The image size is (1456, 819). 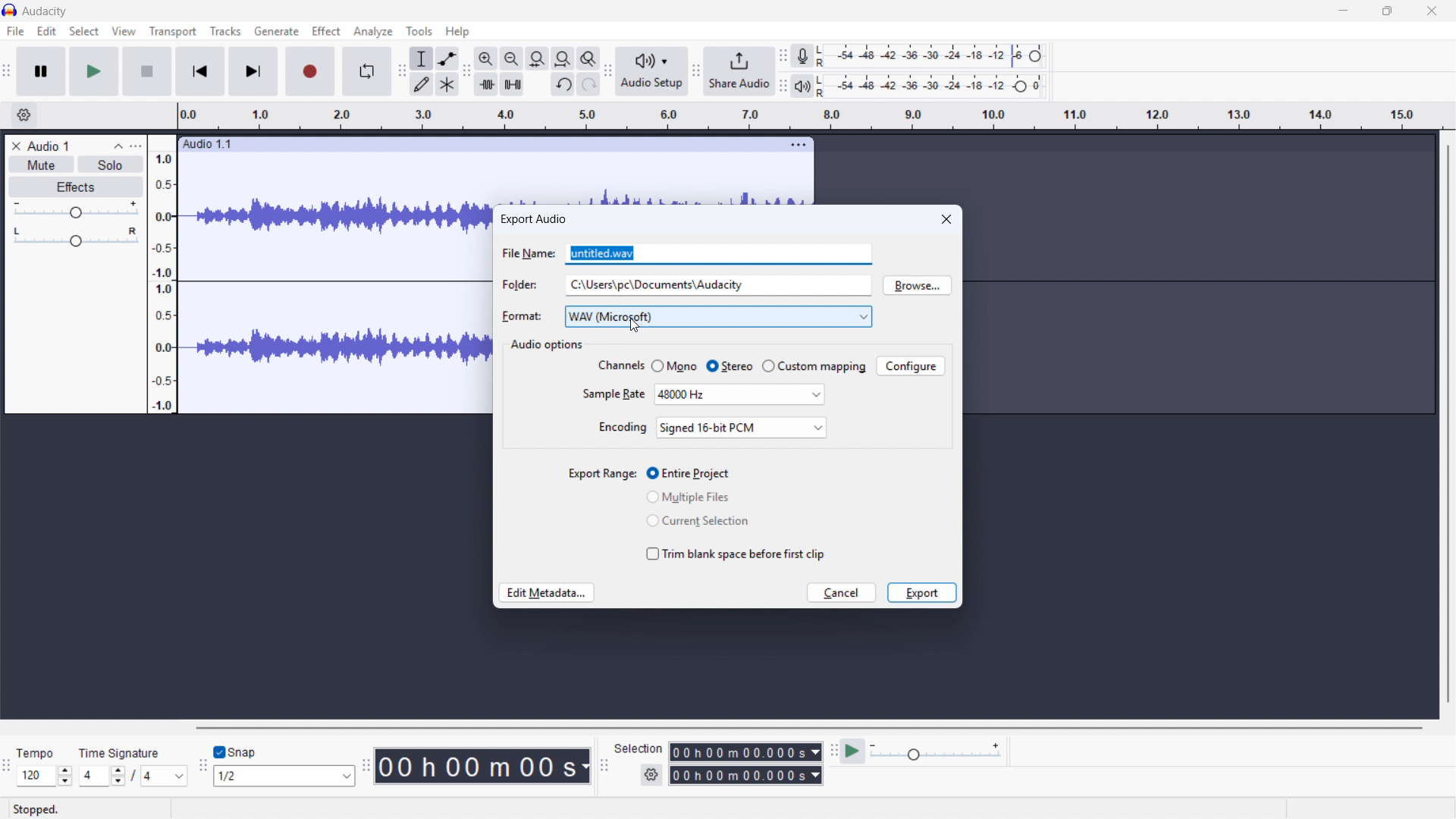 What do you see at coordinates (918, 285) in the screenshot?
I see `Browse location ` at bounding box center [918, 285].